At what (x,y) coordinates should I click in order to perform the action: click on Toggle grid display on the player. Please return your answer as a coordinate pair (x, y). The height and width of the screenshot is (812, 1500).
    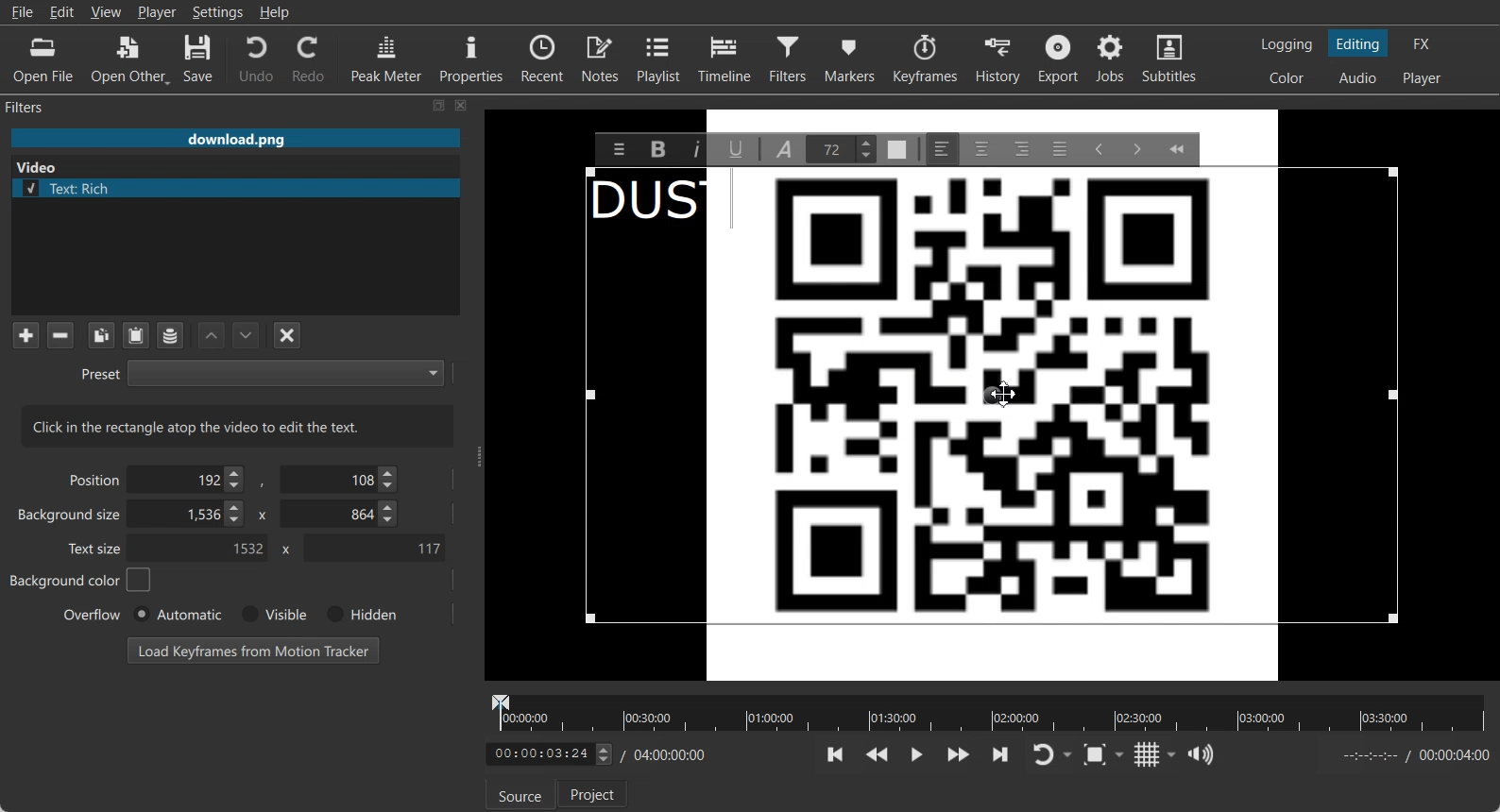
    Looking at the image, I should click on (1148, 754).